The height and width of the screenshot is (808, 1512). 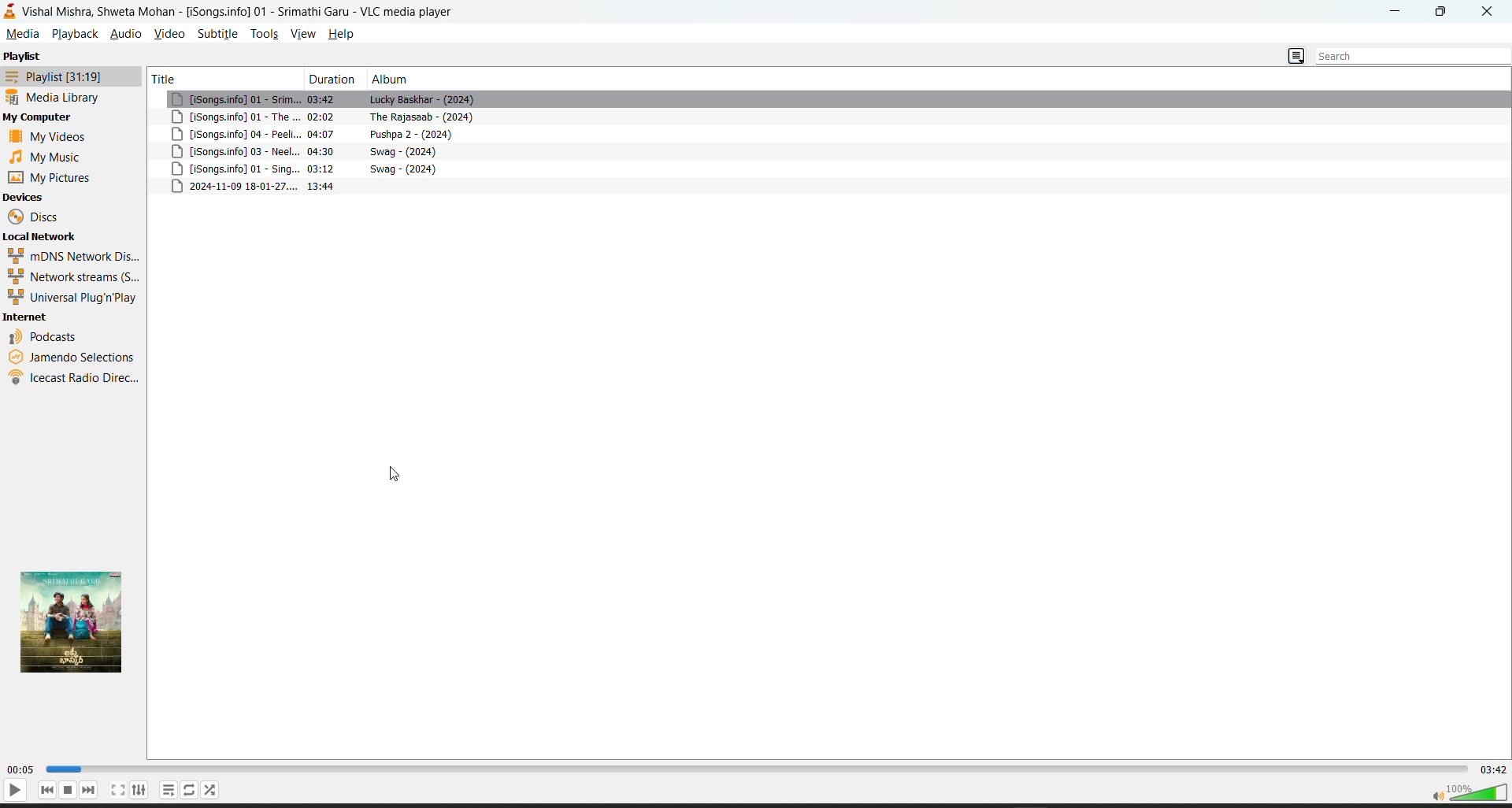 I want to click on next, so click(x=91, y=790).